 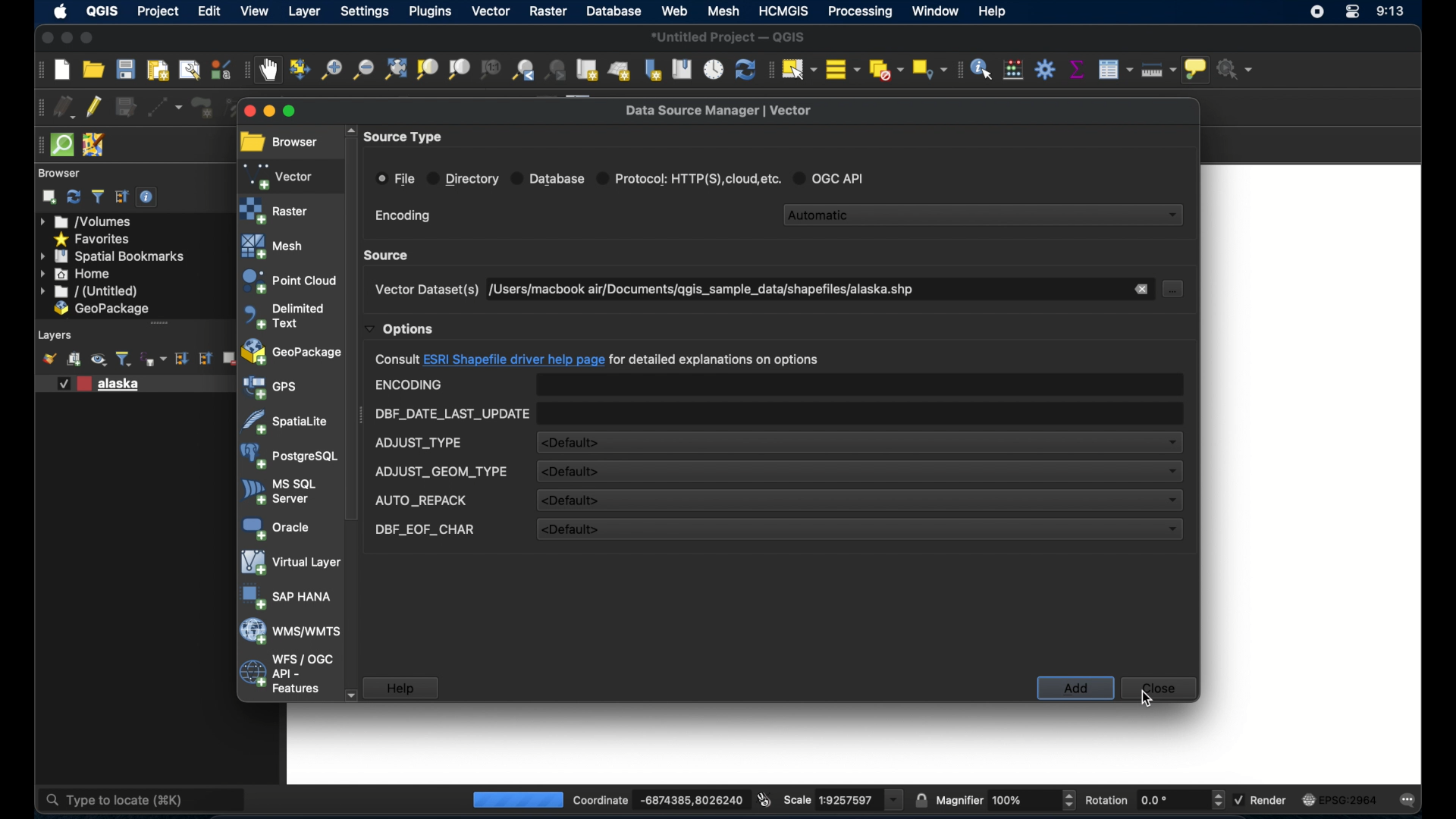 I want to click on show layer styling panel, so click(x=49, y=359).